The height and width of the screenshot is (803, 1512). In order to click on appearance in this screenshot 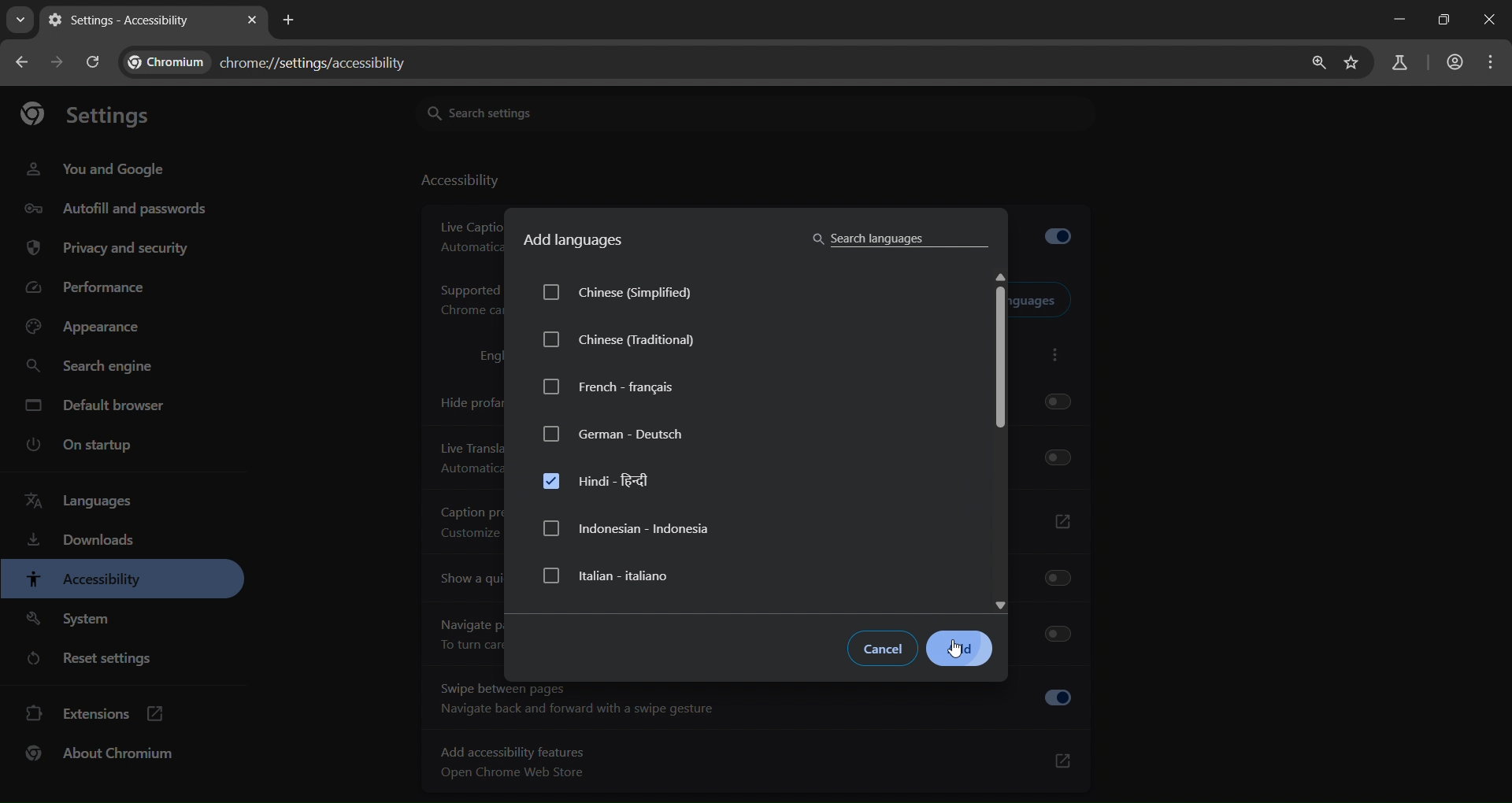, I will do `click(91, 327)`.